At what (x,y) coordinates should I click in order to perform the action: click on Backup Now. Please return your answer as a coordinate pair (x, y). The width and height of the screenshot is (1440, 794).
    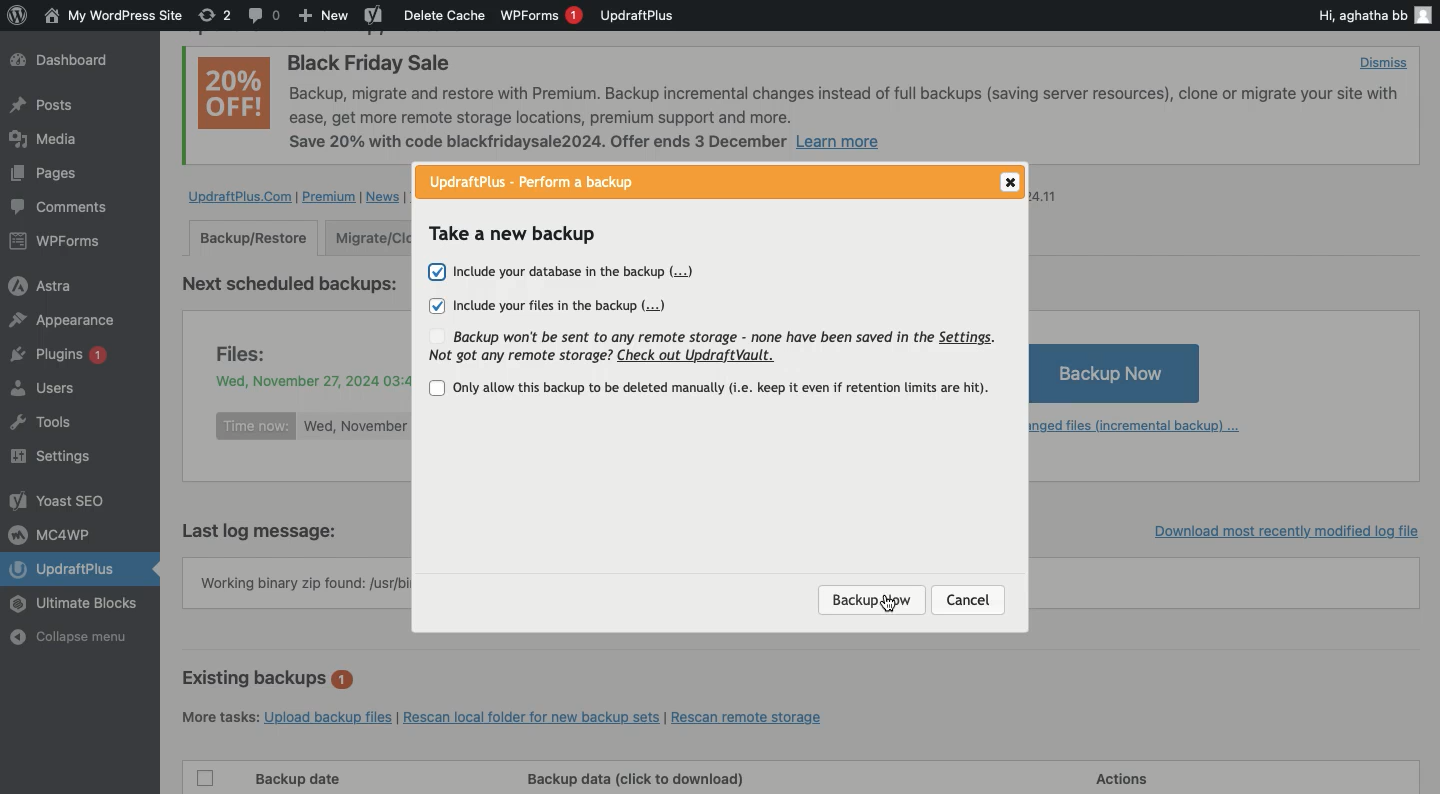
    Looking at the image, I should click on (1115, 372).